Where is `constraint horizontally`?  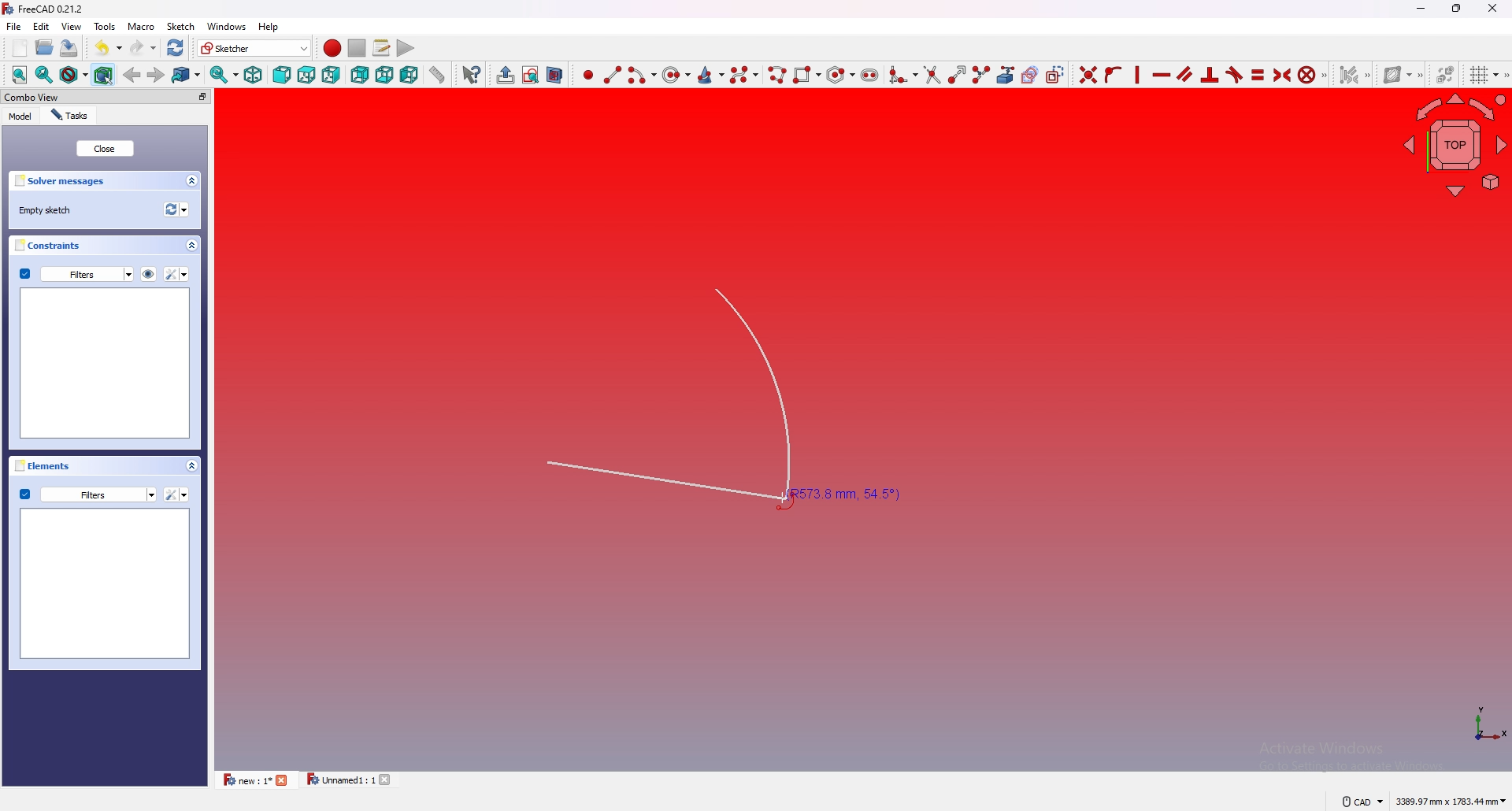 constraint horizontally is located at coordinates (1162, 74).